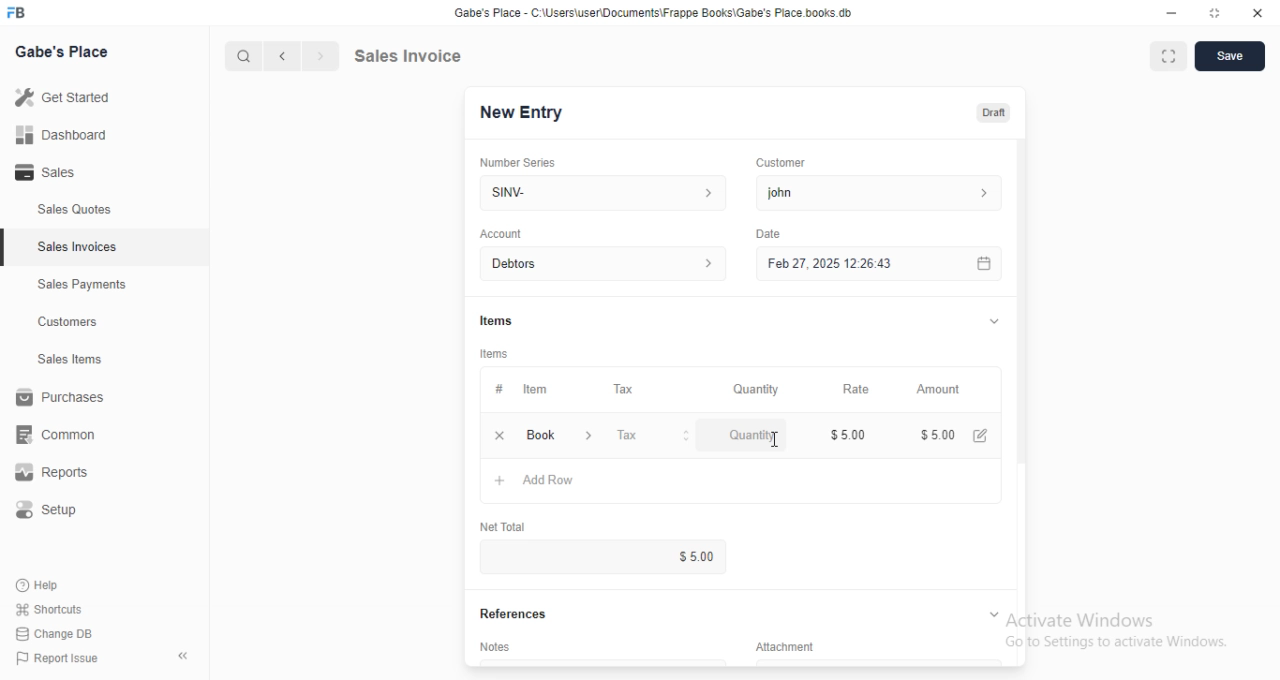  I want to click on Cursor, so click(775, 441).